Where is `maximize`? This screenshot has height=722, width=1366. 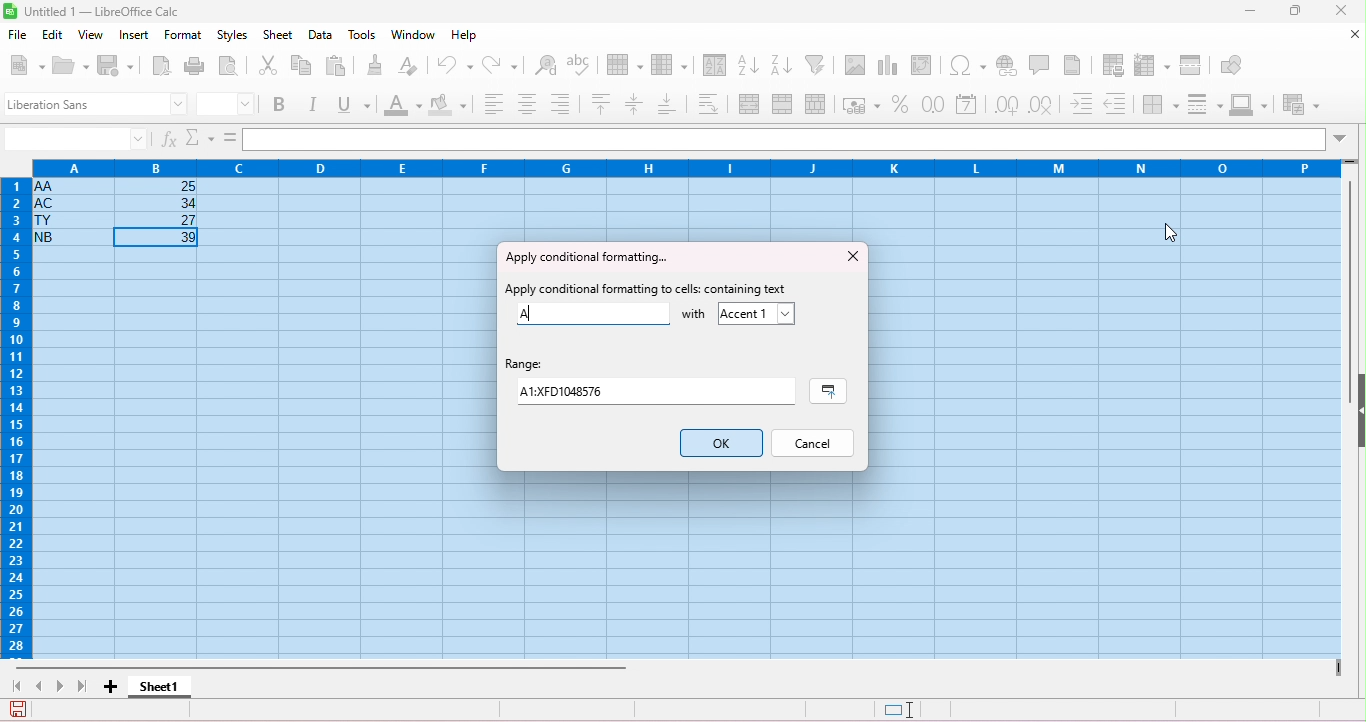 maximize is located at coordinates (1293, 10).